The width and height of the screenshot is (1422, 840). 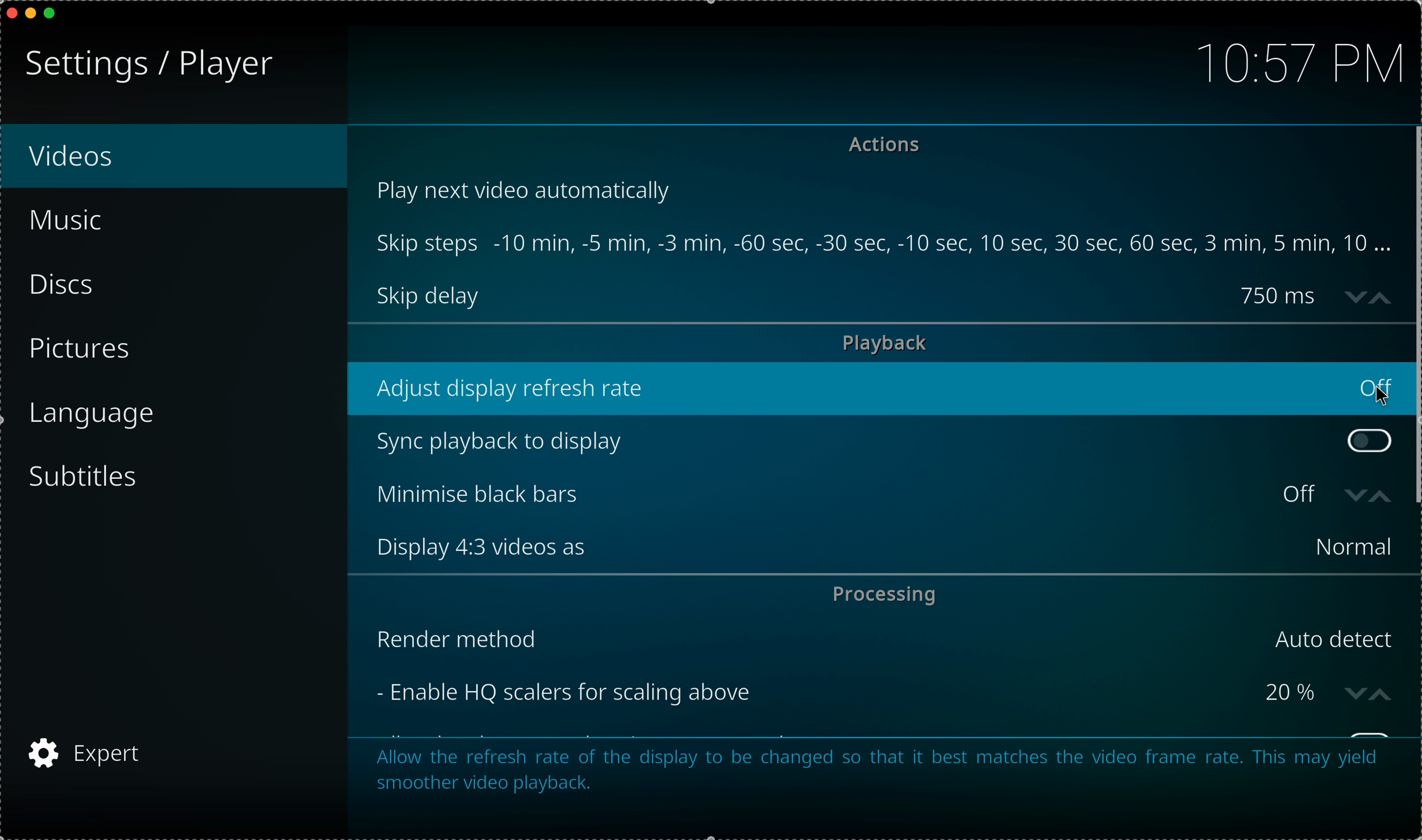 I want to click on Scroll bar, so click(x=1413, y=316).